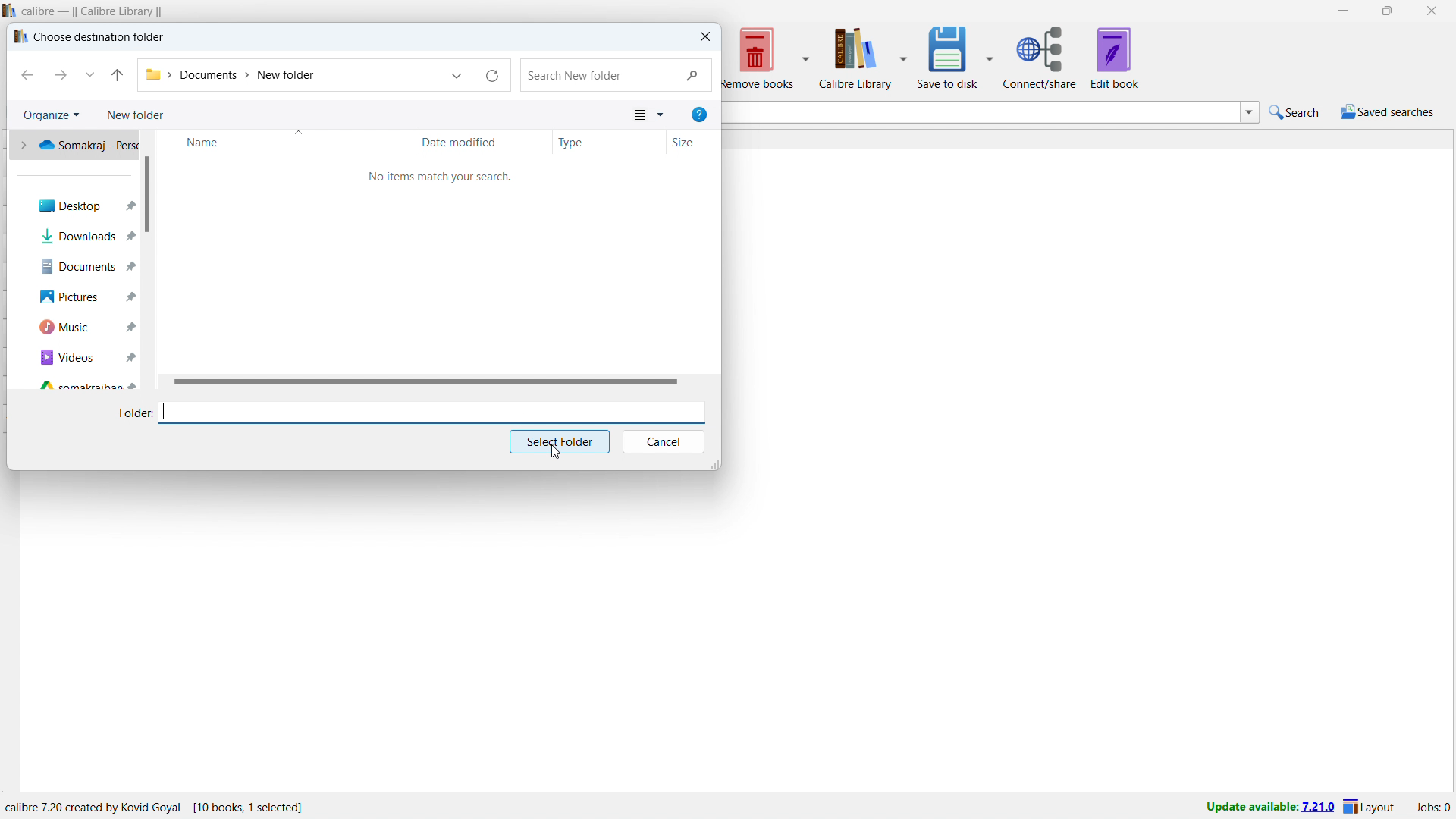  What do you see at coordinates (980, 113) in the screenshot?
I see `enter search string` at bounding box center [980, 113].